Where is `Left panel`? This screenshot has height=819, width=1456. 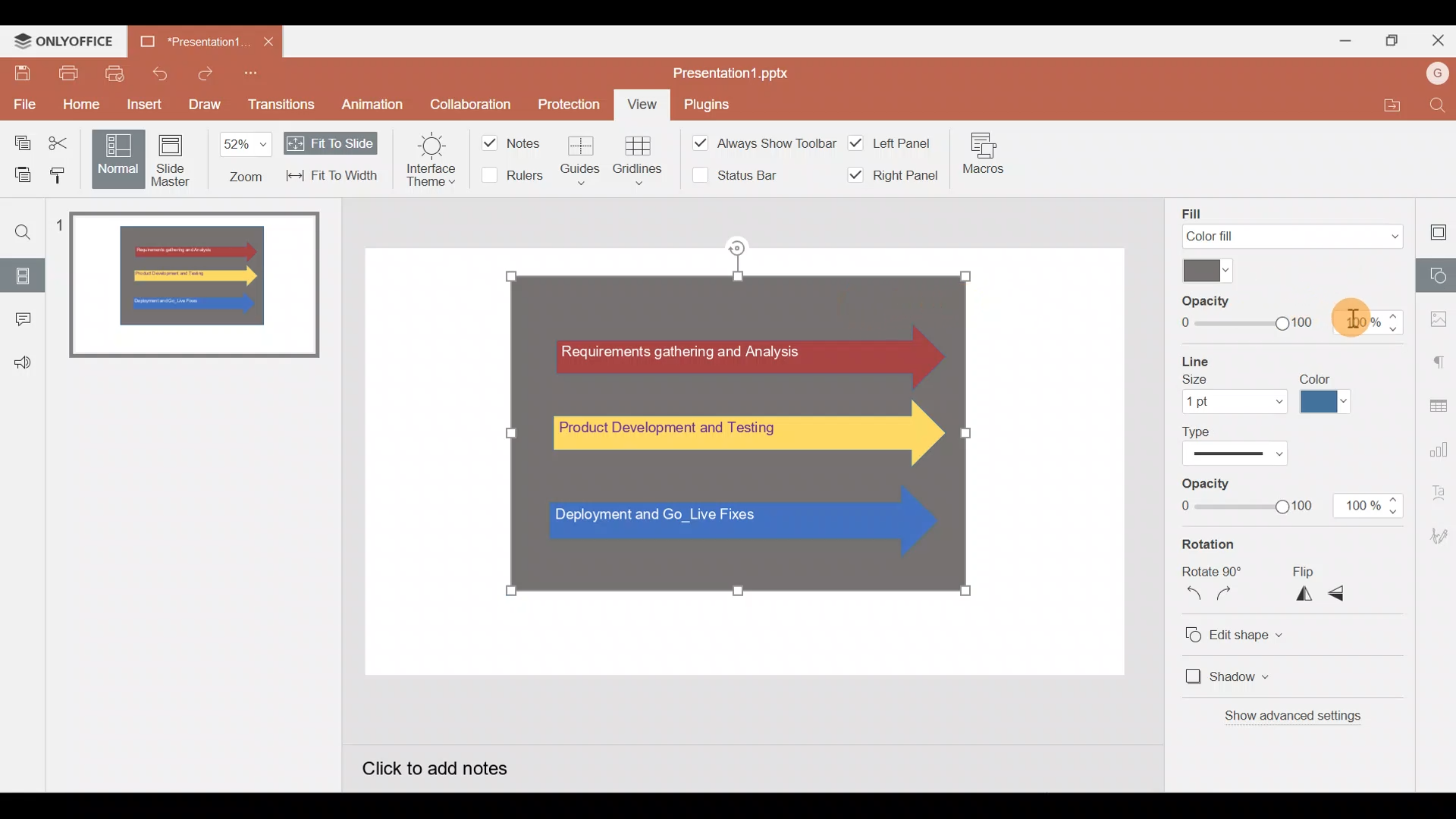
Left panel is located at coordinates (891, 141).